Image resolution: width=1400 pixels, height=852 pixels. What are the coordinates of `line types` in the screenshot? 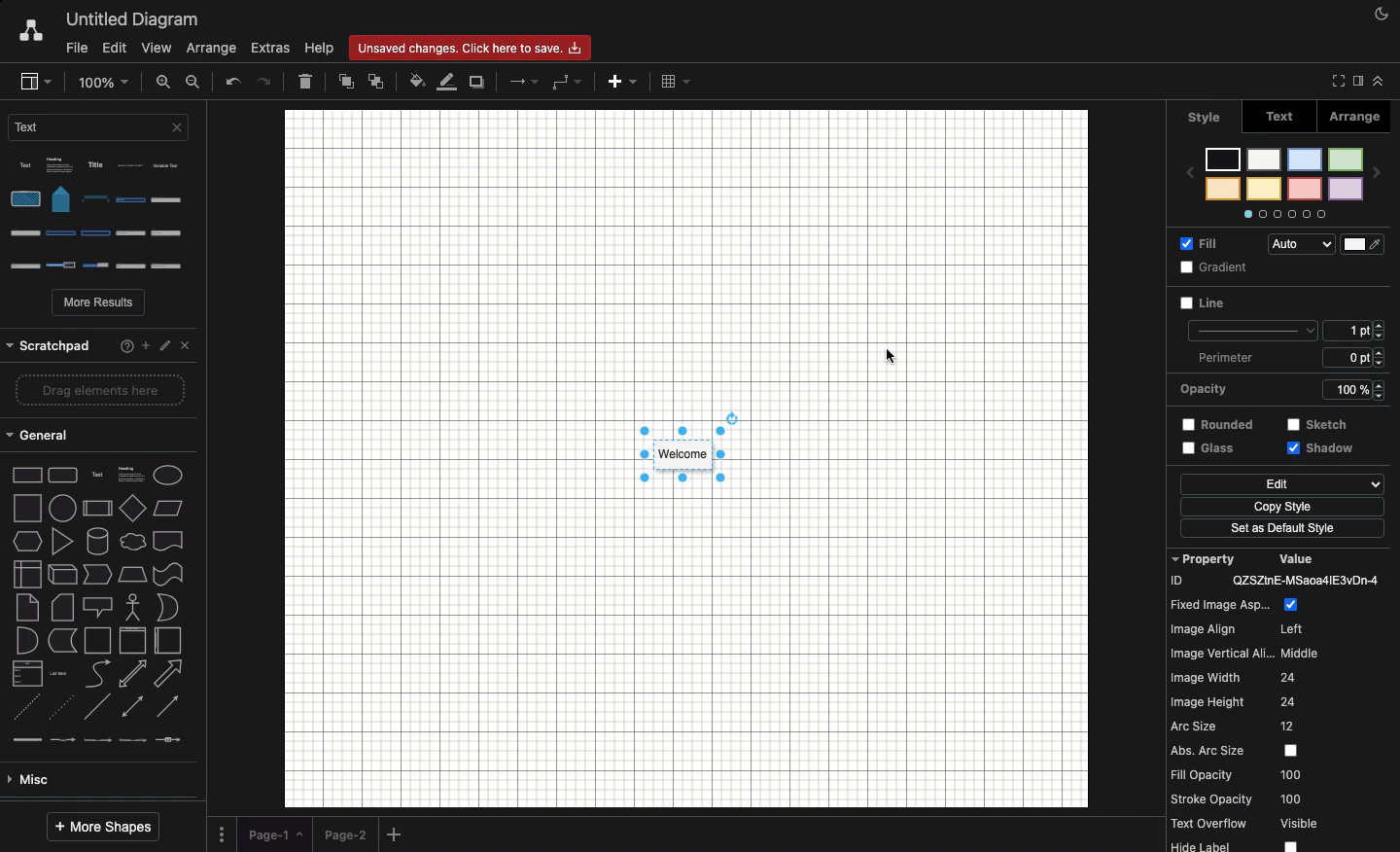 It's located at (104, 578).